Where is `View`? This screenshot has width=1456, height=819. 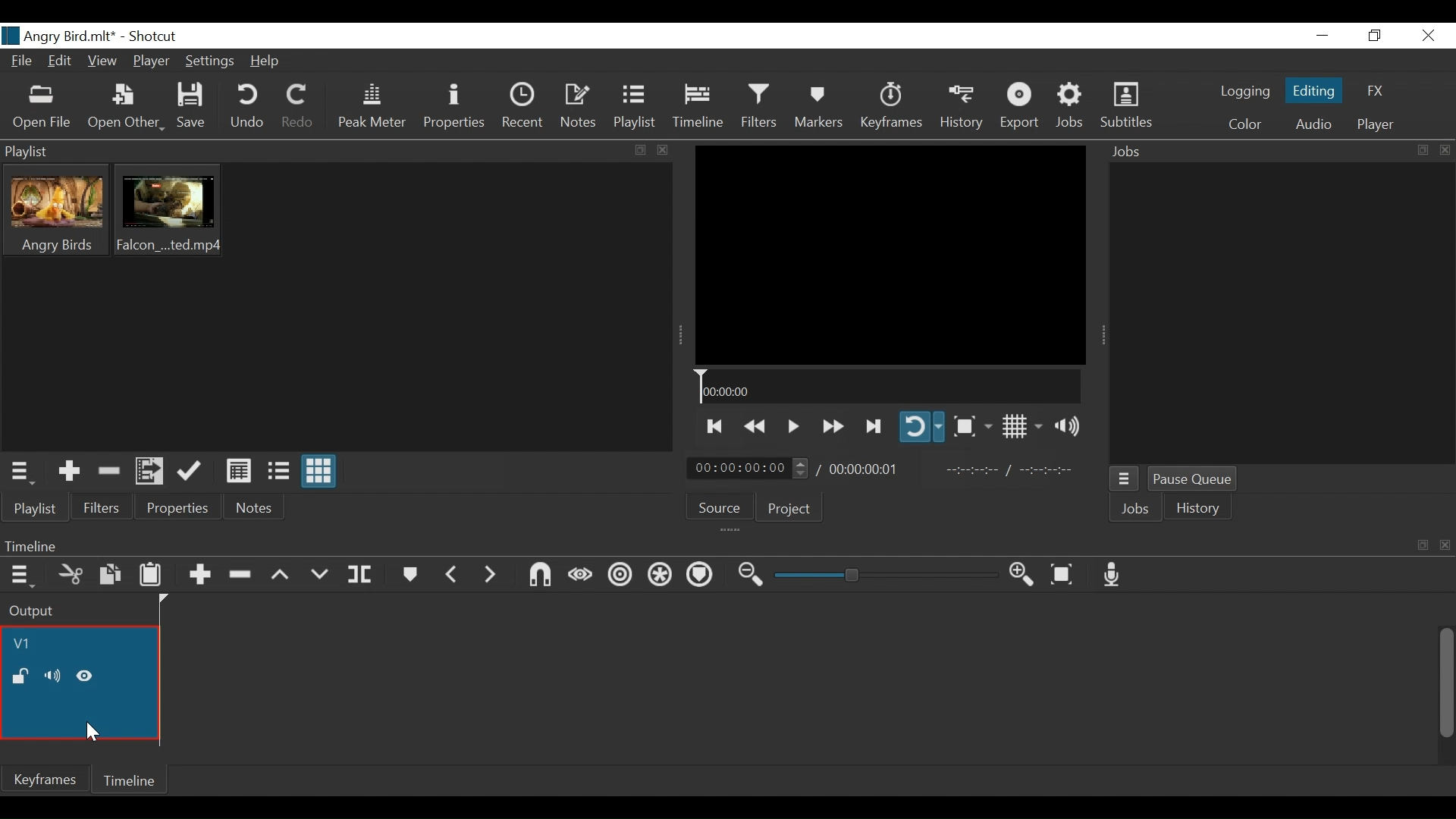 View is located at coordinates (102, 61).